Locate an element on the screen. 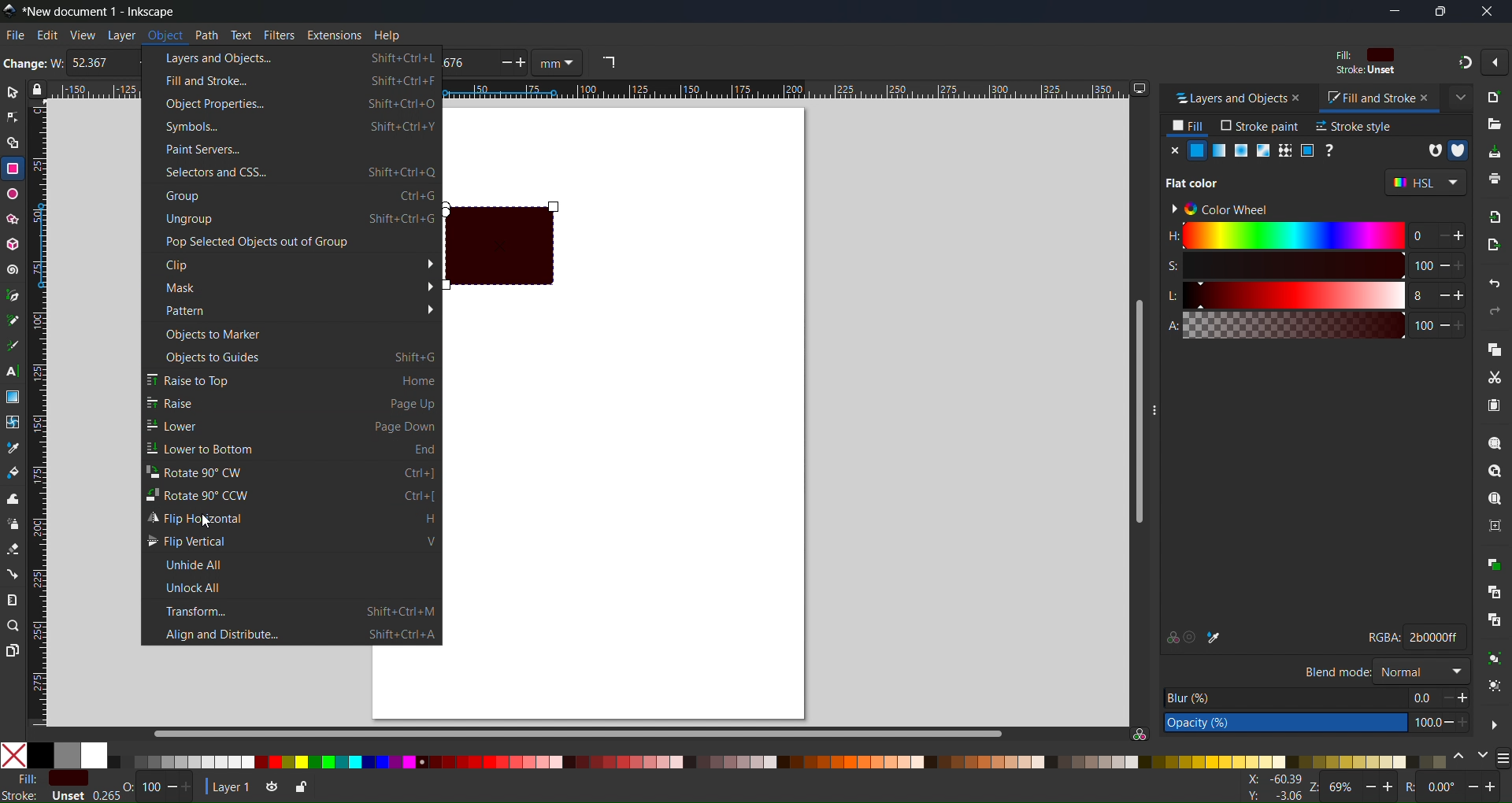 This screenshot has height=803, width=1512. Duplicate is located at coordinates (1495, 564).